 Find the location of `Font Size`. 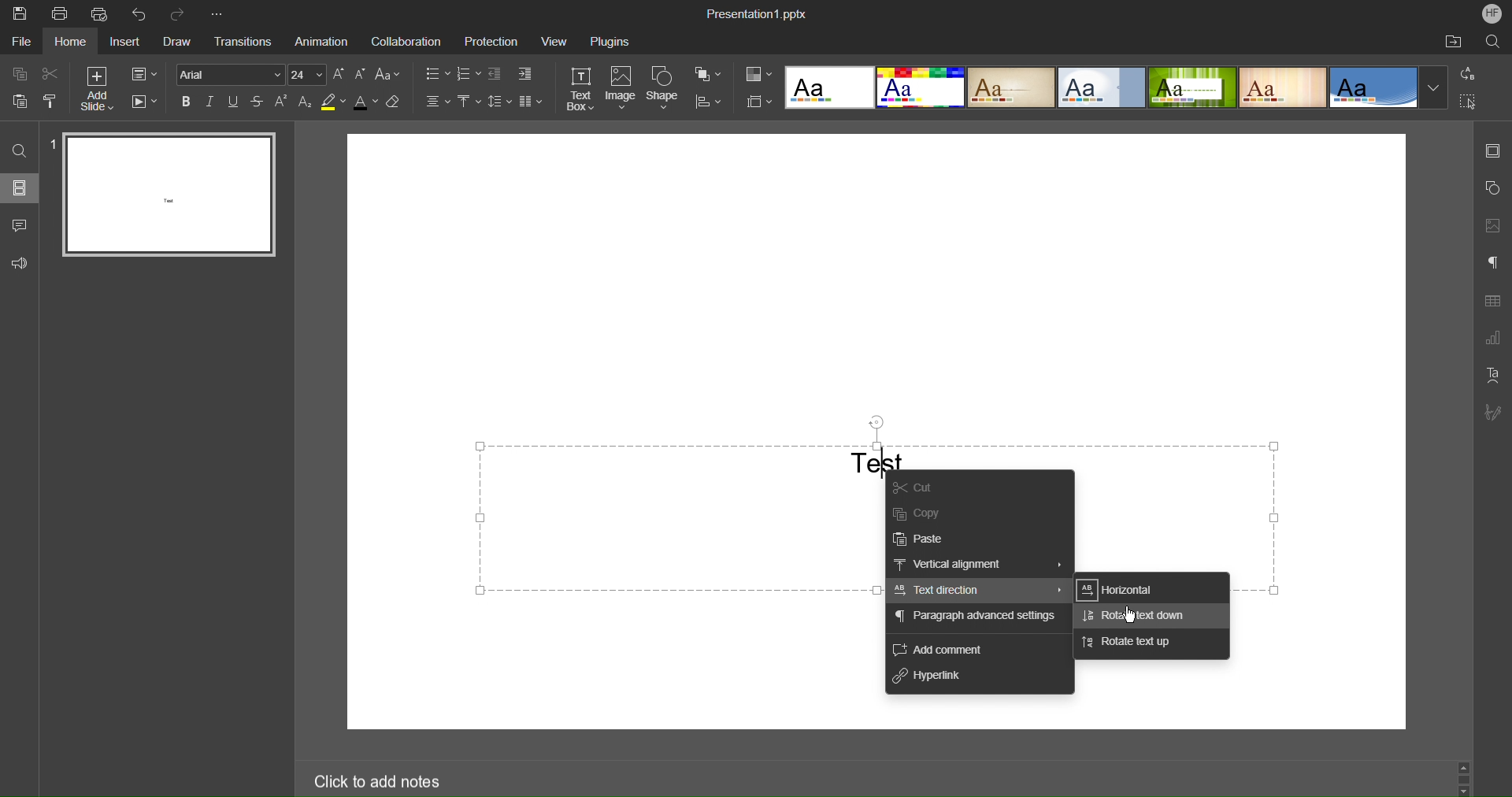

Font Size is located at coordinates (307, 75).